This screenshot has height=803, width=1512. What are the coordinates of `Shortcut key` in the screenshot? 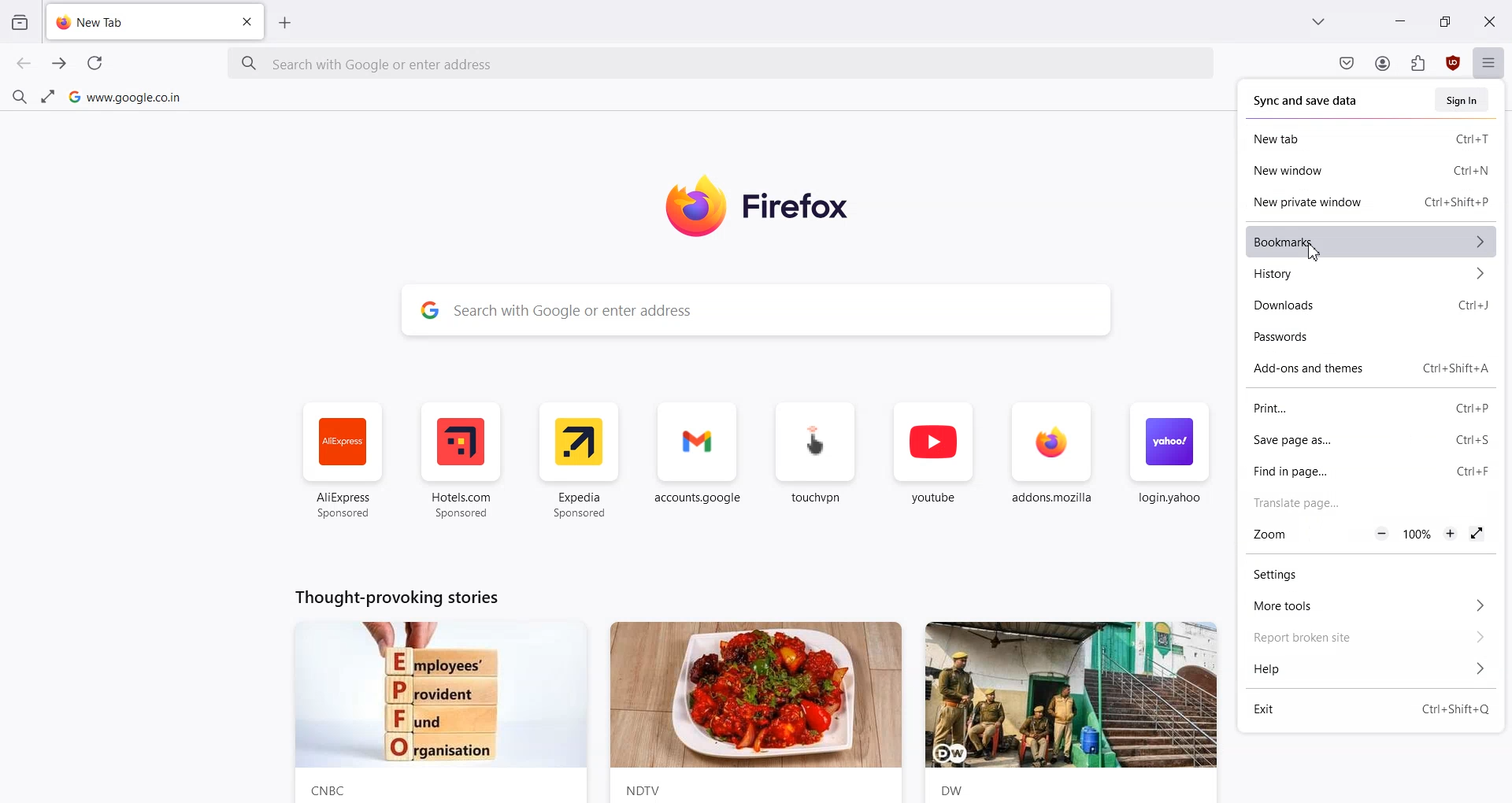 It's located at (1458, 709).